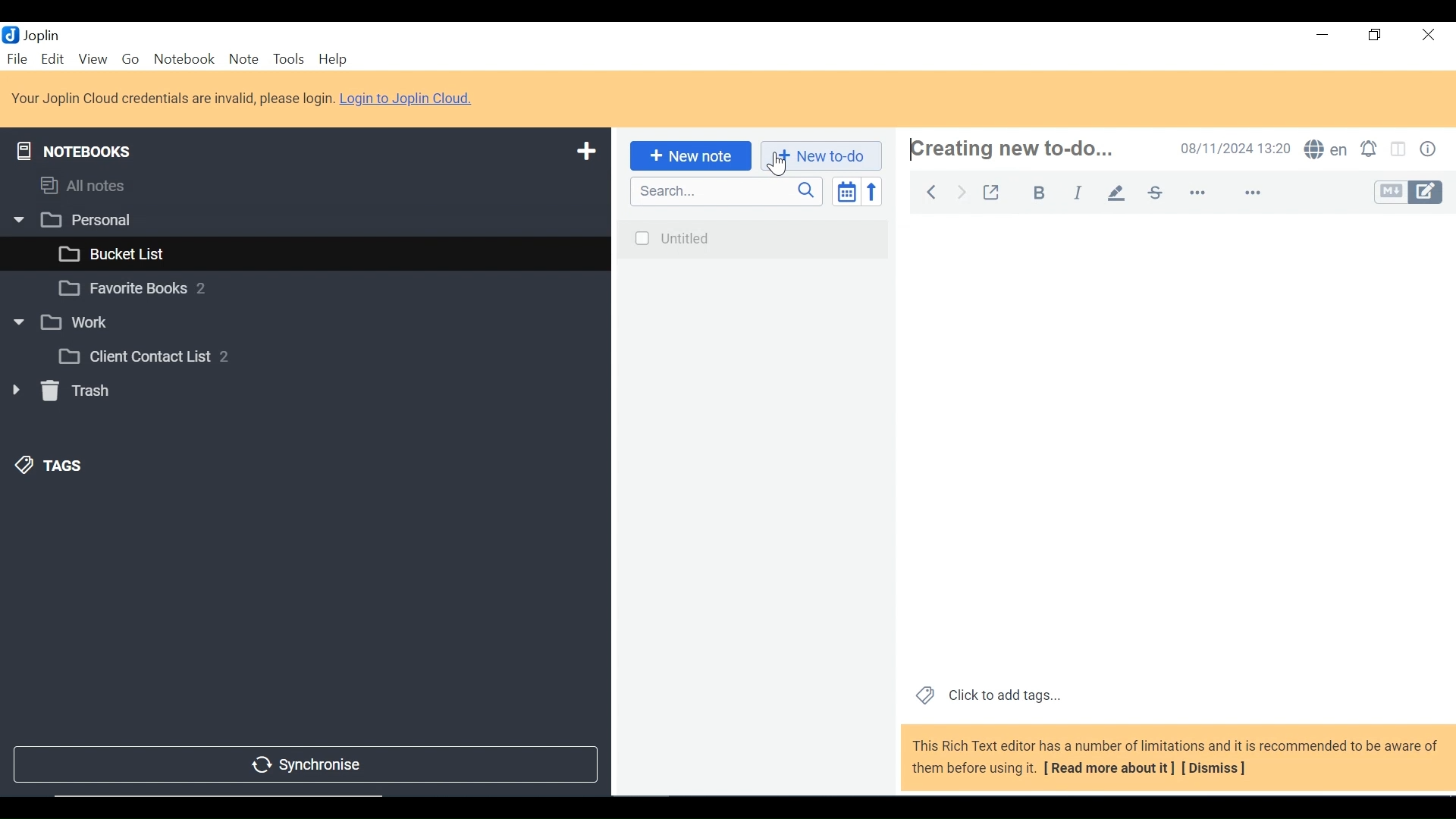 Image resolution: width=1456 pixels, height=819 pixels. I want to click on Toggle editor layout, so click(1400, 149).